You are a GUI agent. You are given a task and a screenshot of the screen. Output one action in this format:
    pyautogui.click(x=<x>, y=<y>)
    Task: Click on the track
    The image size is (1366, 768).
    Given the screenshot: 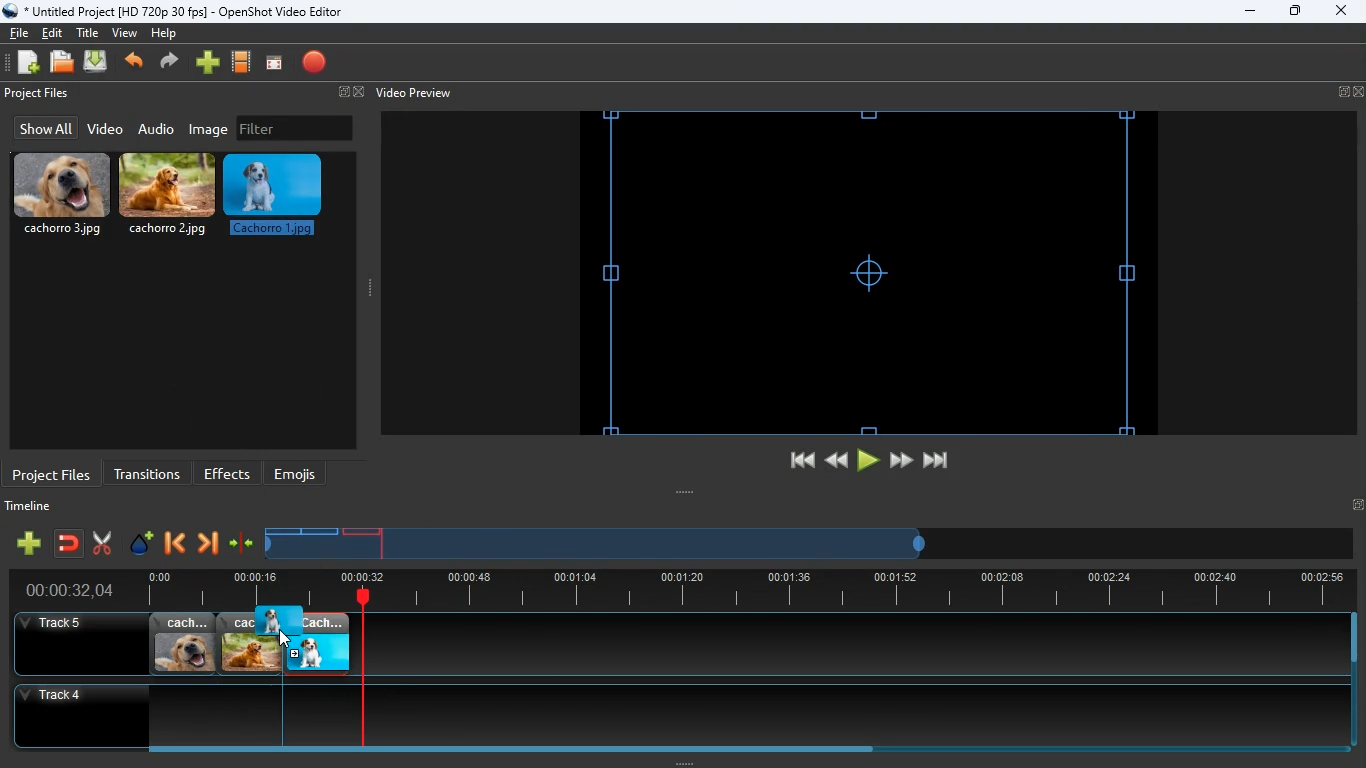 What is the action you would take?
    pyautogui.click(x=663, y=715)
    